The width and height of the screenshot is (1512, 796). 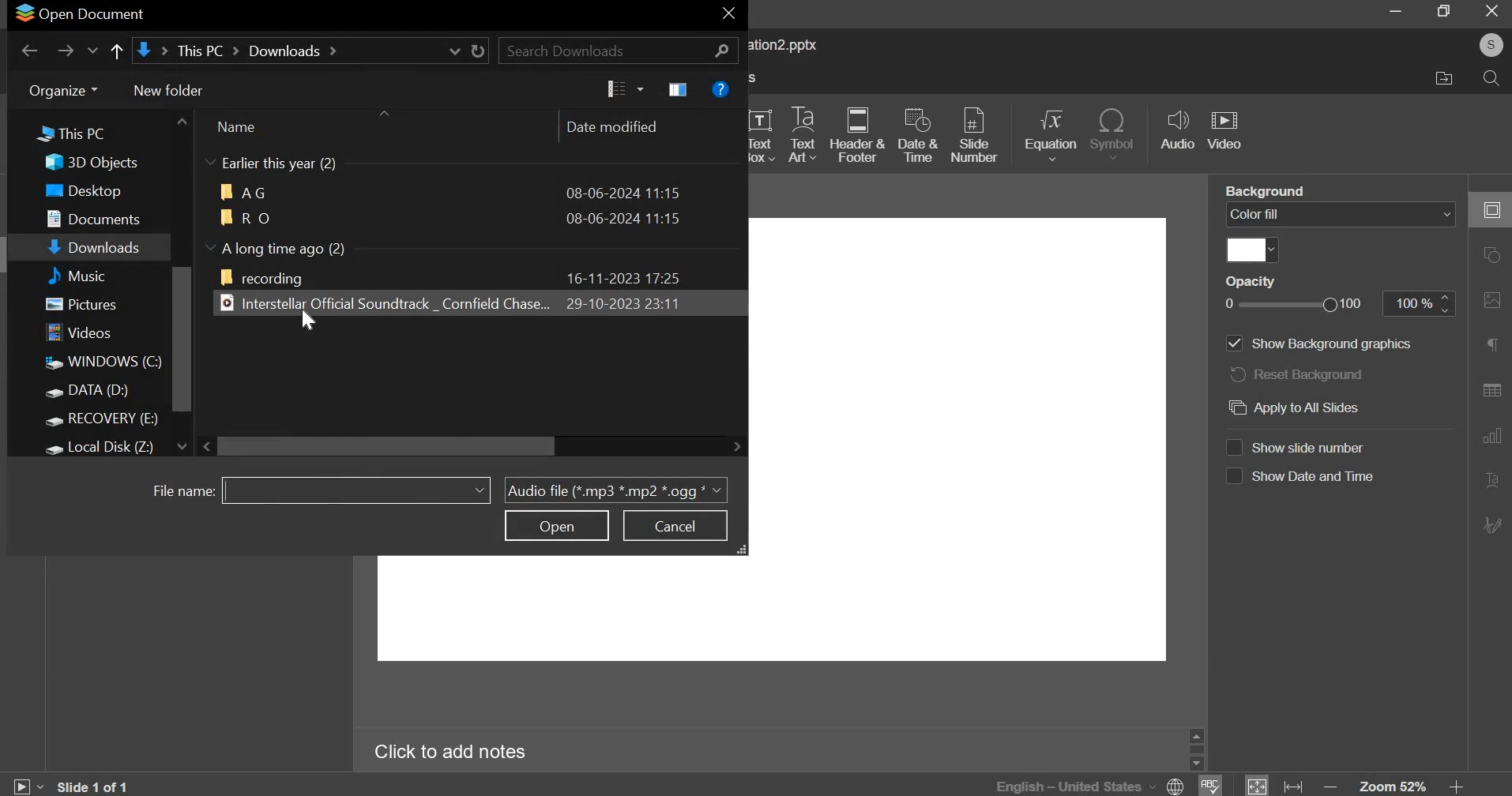 What do you see at coordinates (976, 133) in the screenshot?
I see `slide number` at bounding box center [976, 133].